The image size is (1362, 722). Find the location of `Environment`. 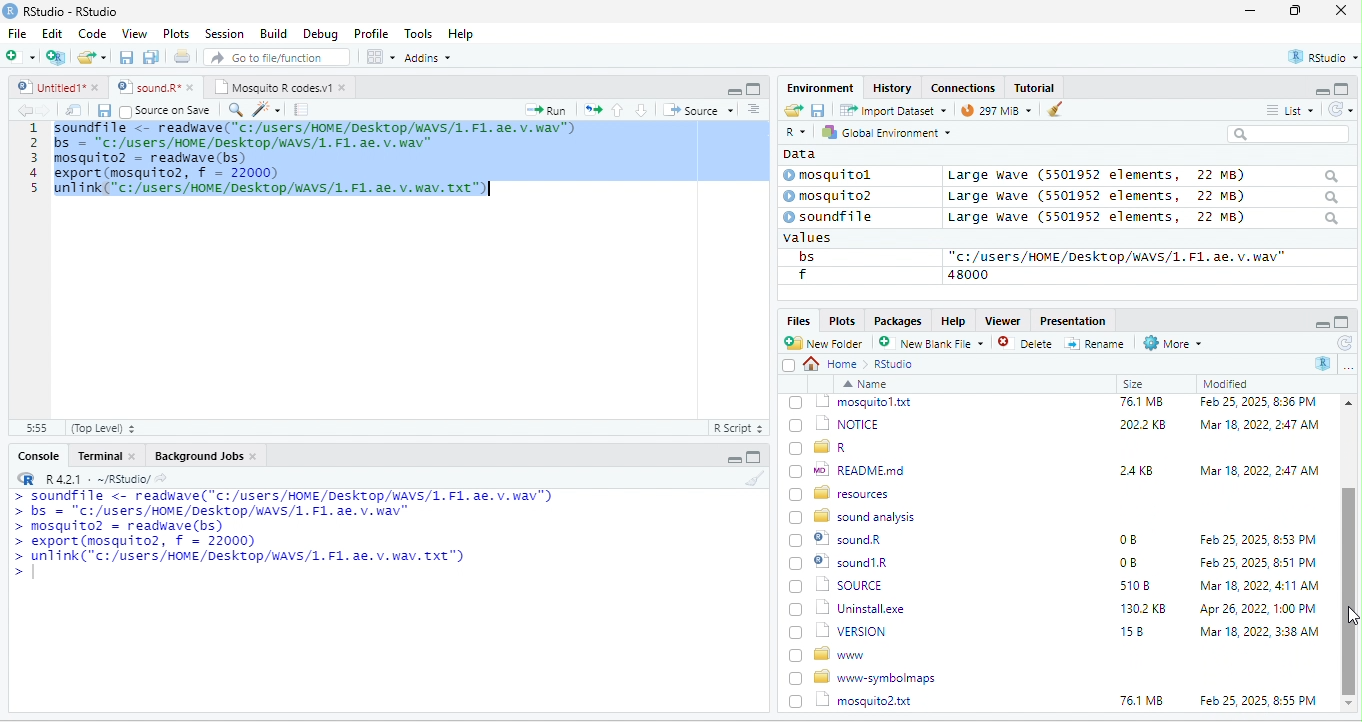

Environment is located at coordinates (820, 87).